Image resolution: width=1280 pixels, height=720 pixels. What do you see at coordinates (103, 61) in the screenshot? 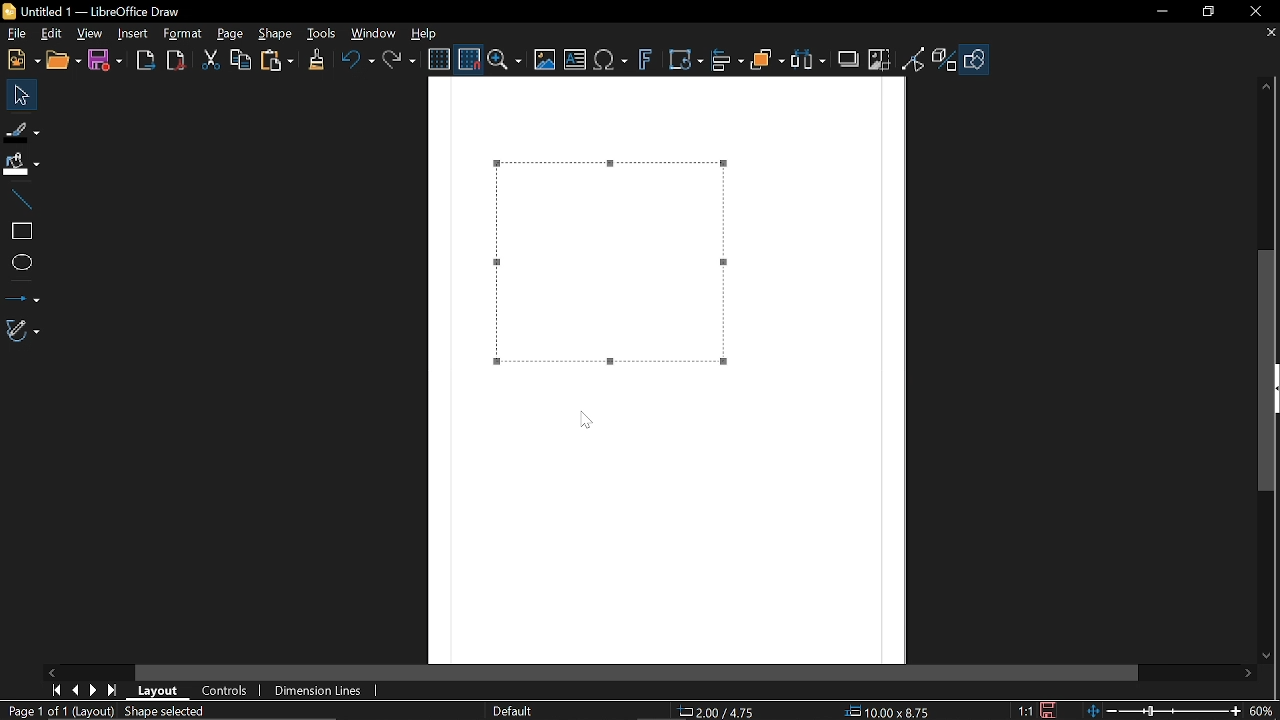
I see `Save` at bounding box center [103, 61].